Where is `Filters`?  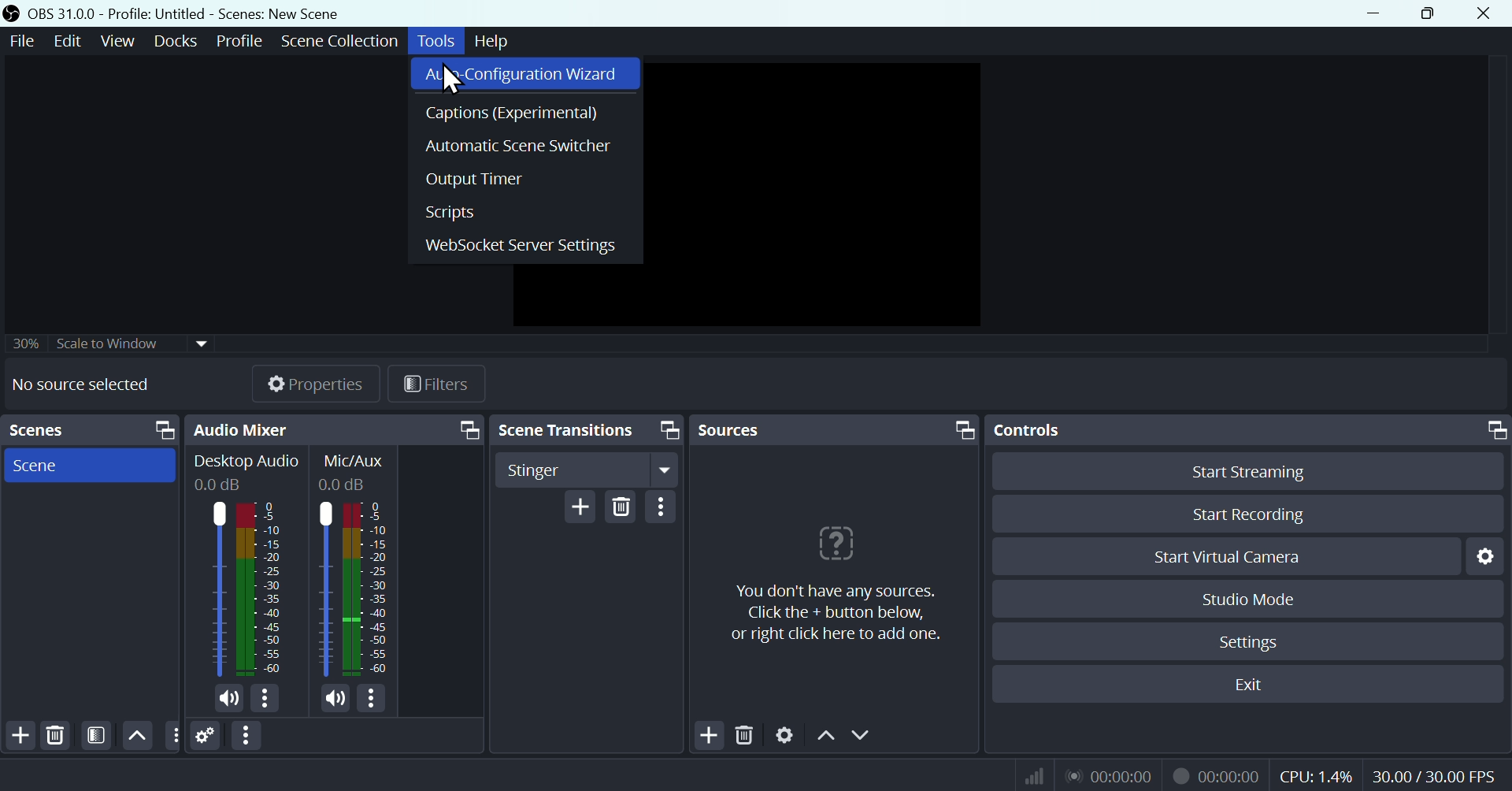
Filters is located at coordinates (435, 383).